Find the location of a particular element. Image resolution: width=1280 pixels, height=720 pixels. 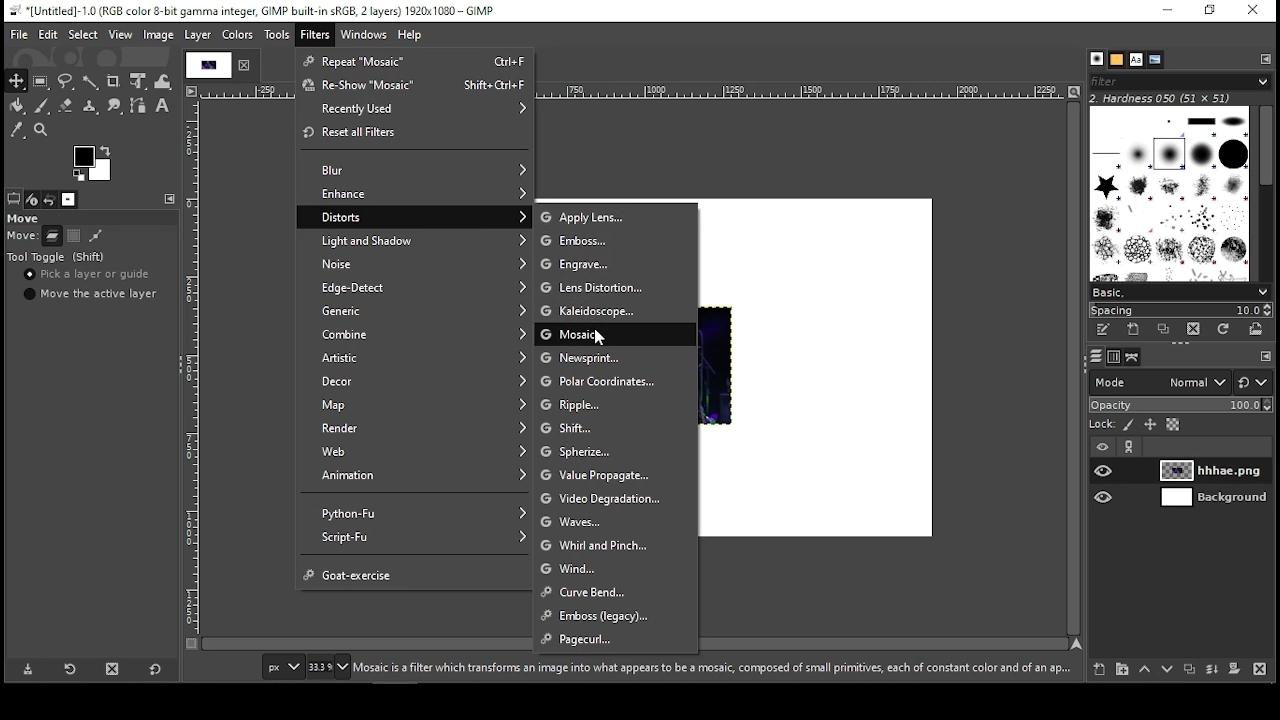

curve bend is located at coordinates (617, 593).